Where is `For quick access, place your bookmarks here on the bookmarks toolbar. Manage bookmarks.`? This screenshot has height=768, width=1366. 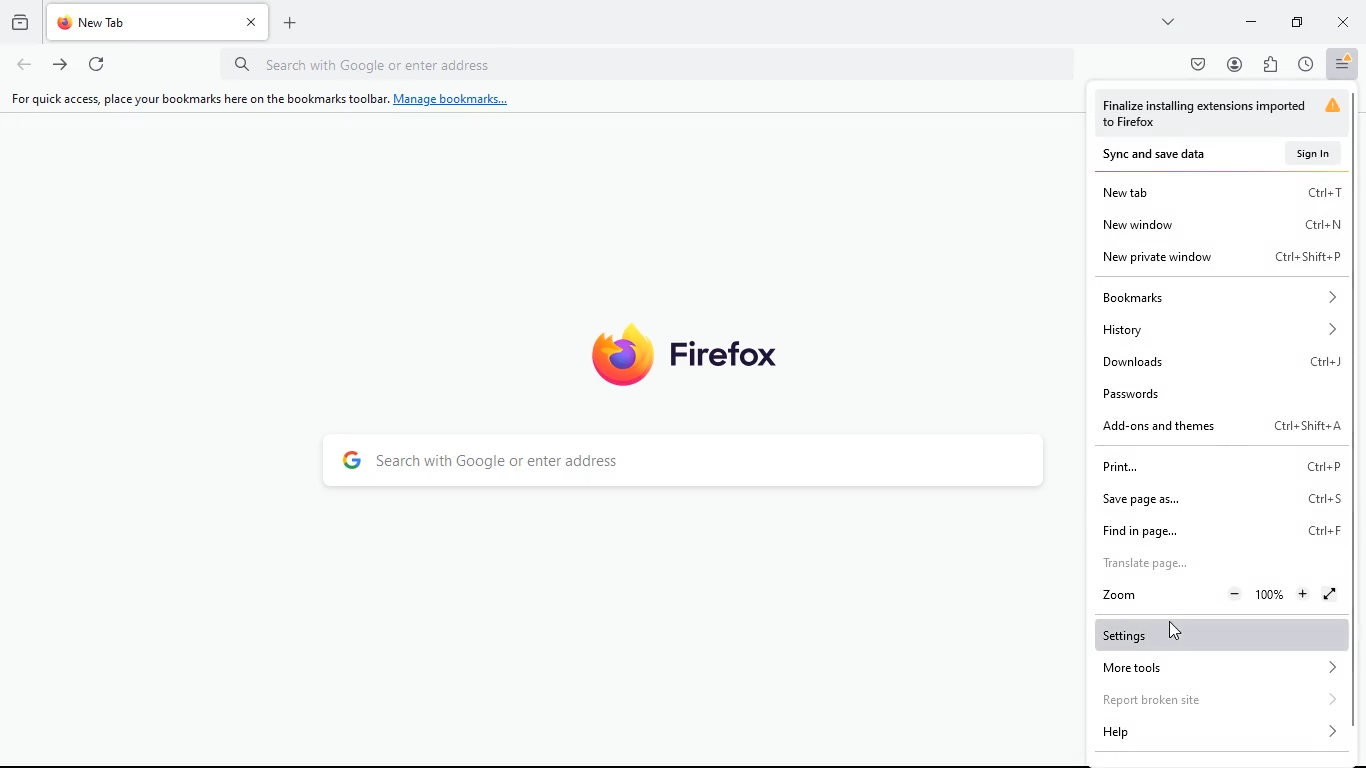
For quick access, place your bookmarks here on the bookmarks toolbar. Manage bookmarks. is located at coordinates (261, 99).